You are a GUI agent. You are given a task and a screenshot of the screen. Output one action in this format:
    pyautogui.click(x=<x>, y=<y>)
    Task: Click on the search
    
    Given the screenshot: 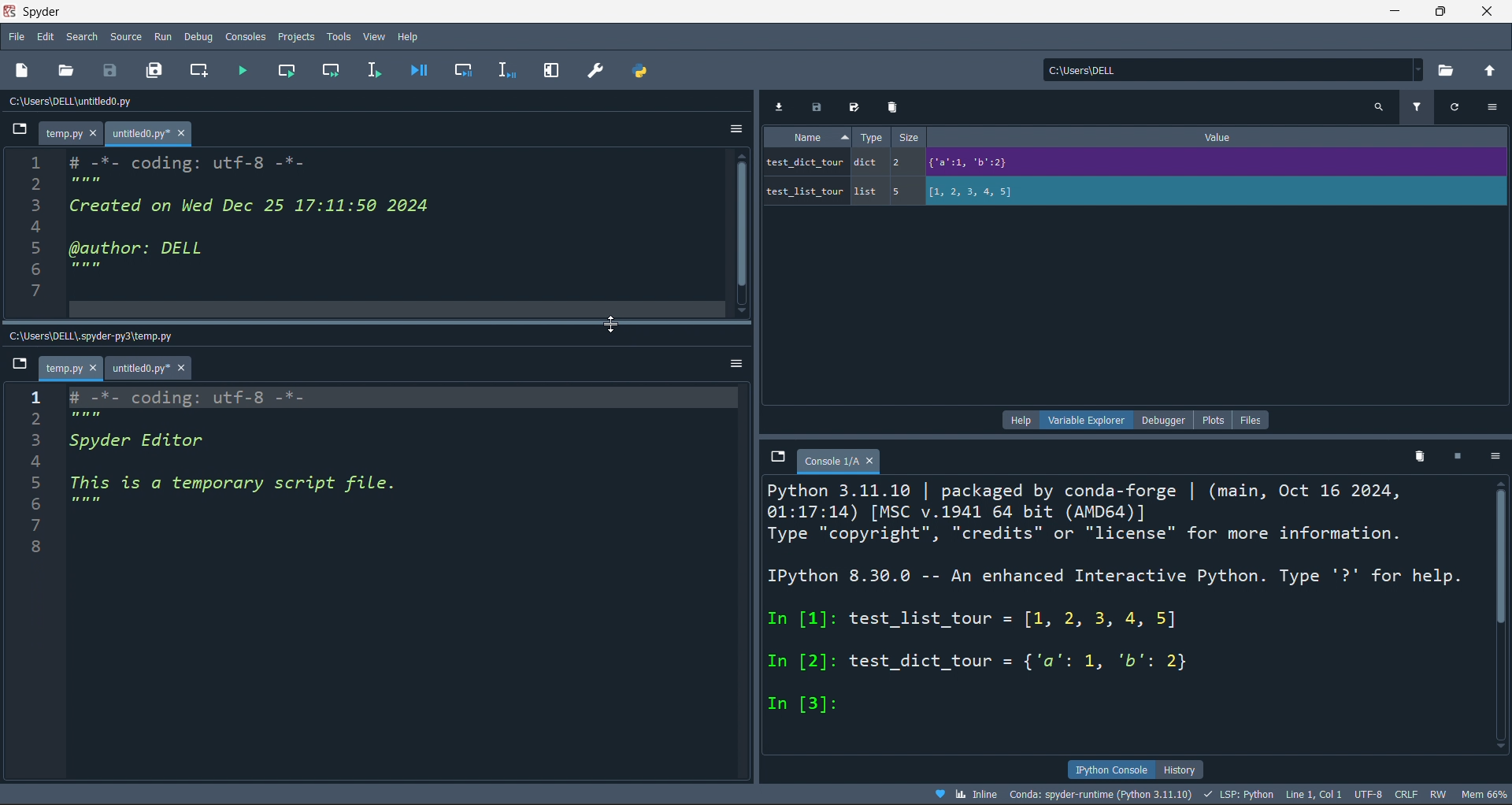 What is the action you would take?
    pyautogui.click(x=81, y=36)
    